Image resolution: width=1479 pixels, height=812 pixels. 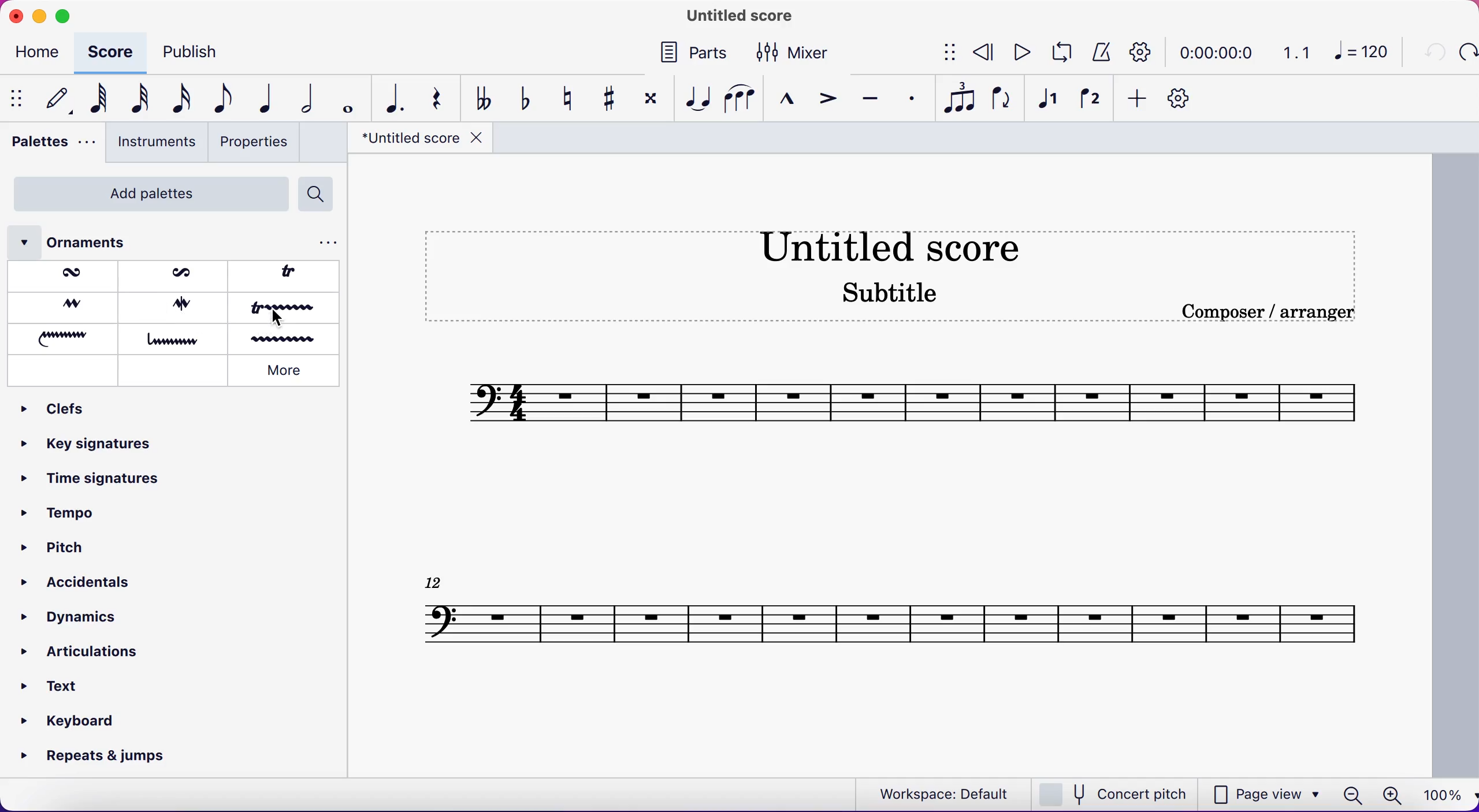 I want to click on more, so click(x=287, y=372).